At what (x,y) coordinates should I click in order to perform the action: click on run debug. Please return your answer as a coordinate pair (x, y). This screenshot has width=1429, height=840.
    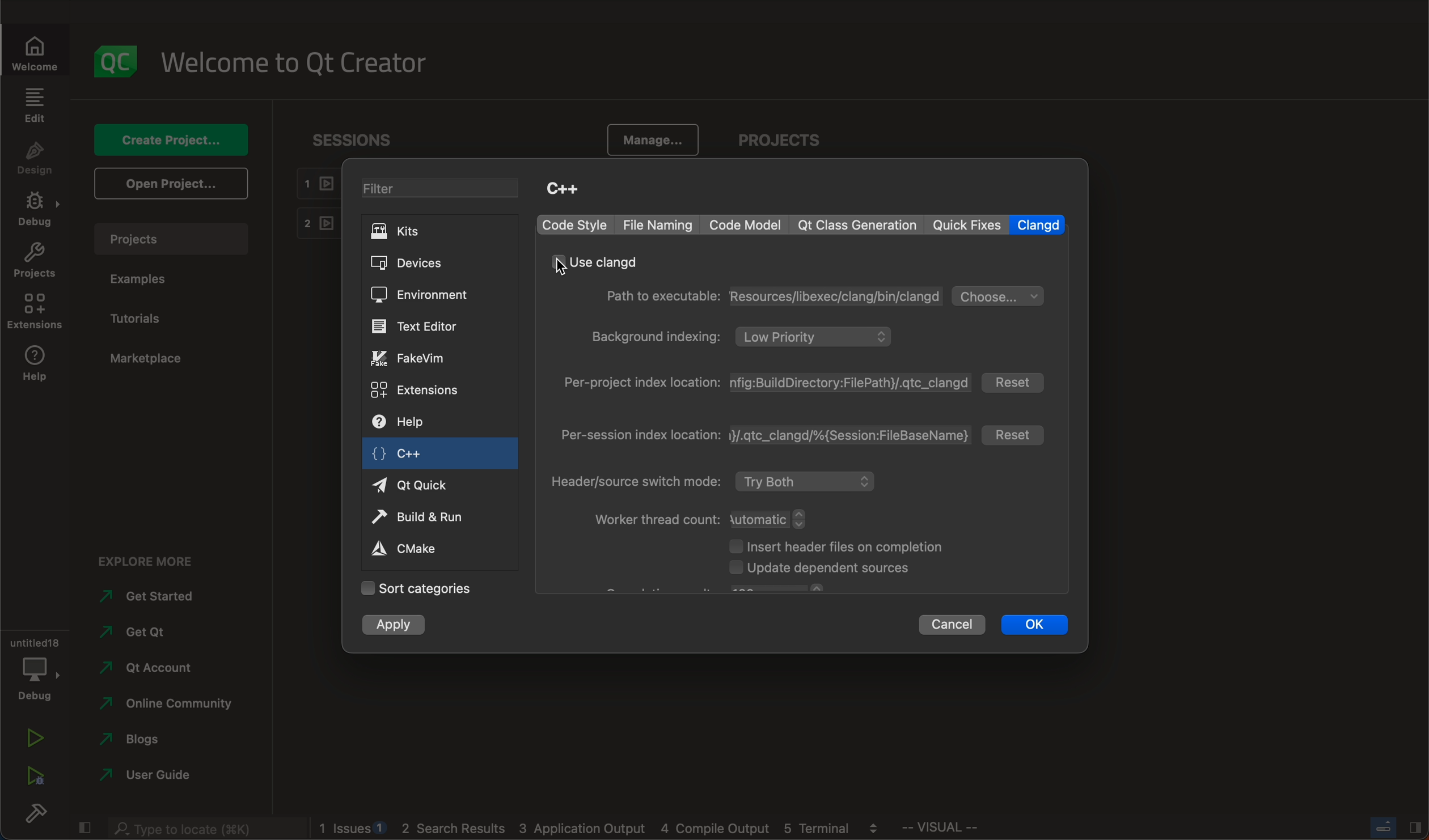
    Looking at the image, I should click on (37, 776).